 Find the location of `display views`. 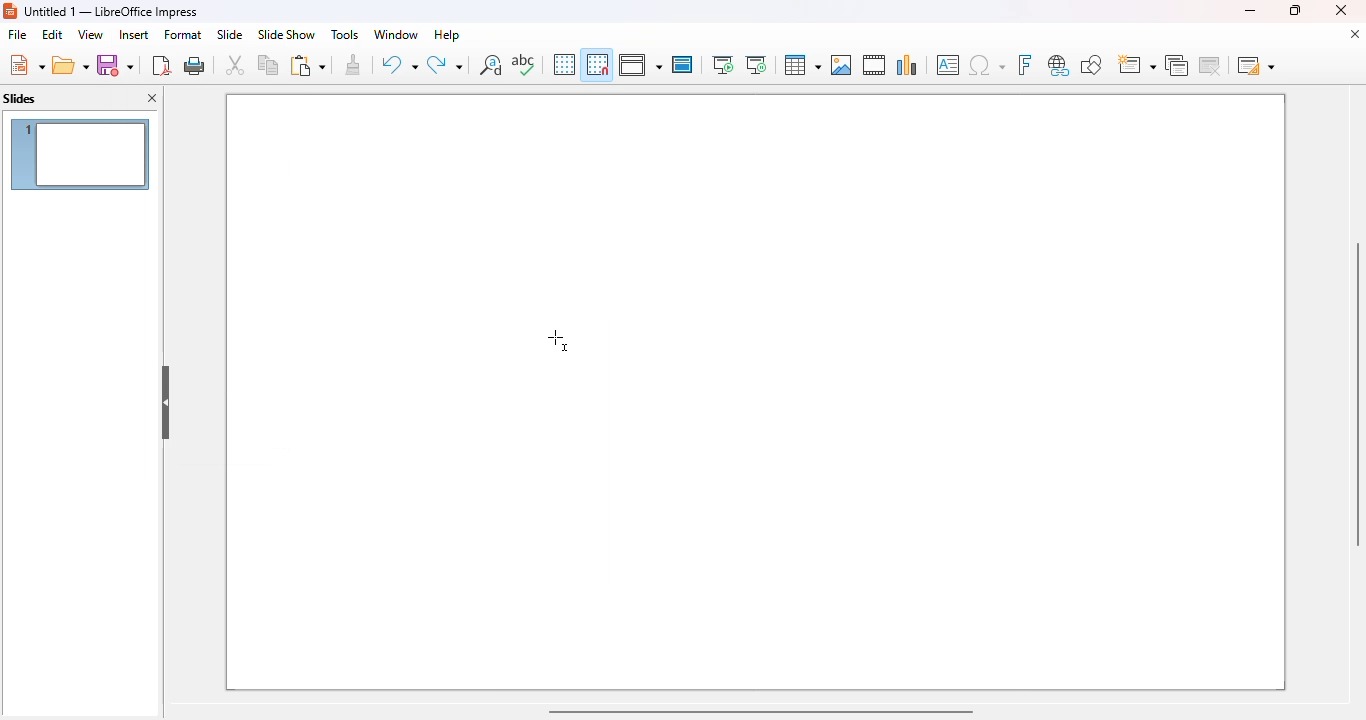

display views is located at coordinates (640, 65).